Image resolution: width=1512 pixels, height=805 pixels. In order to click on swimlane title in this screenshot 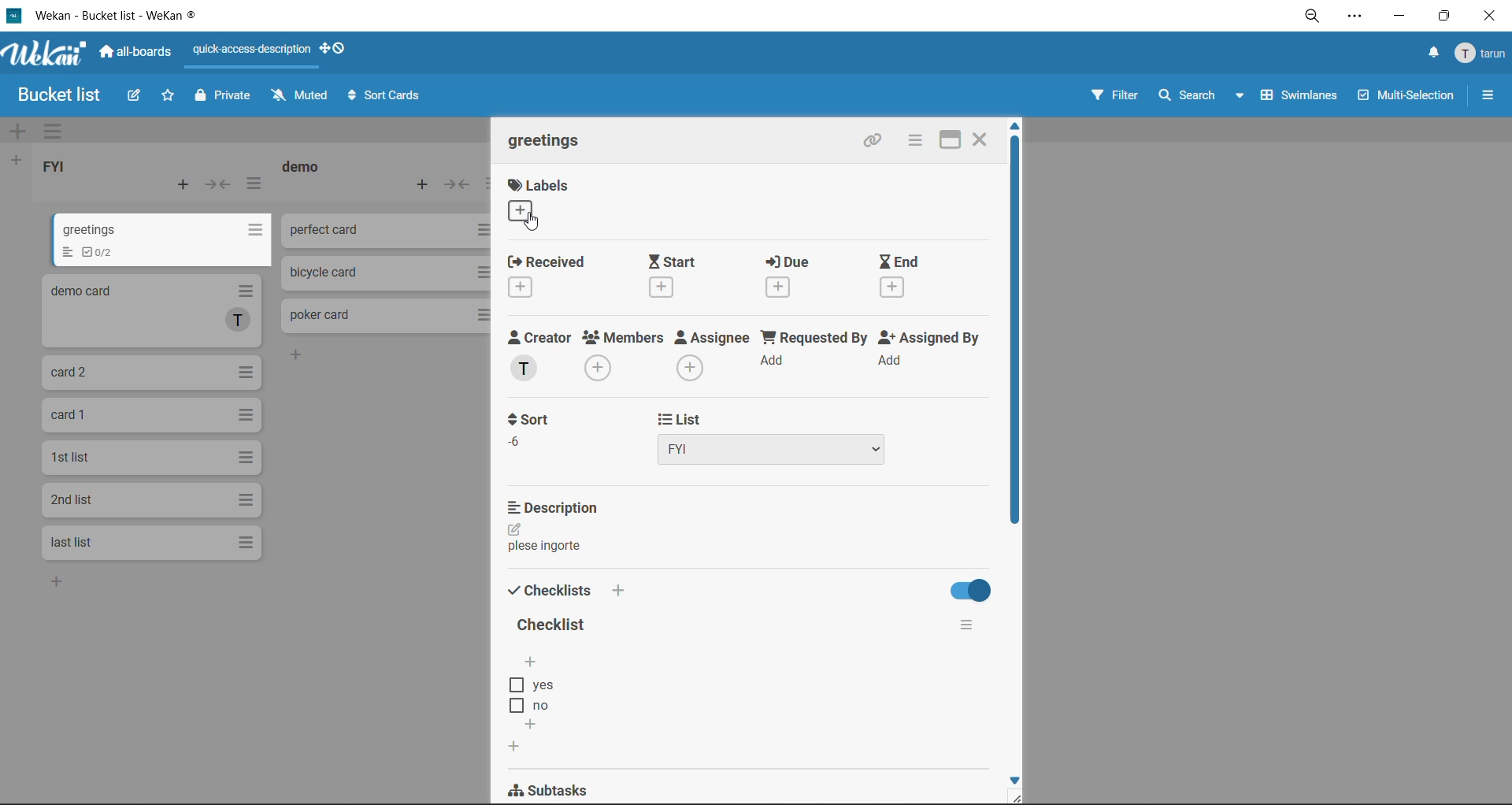, I will do `click(758, 131)`.